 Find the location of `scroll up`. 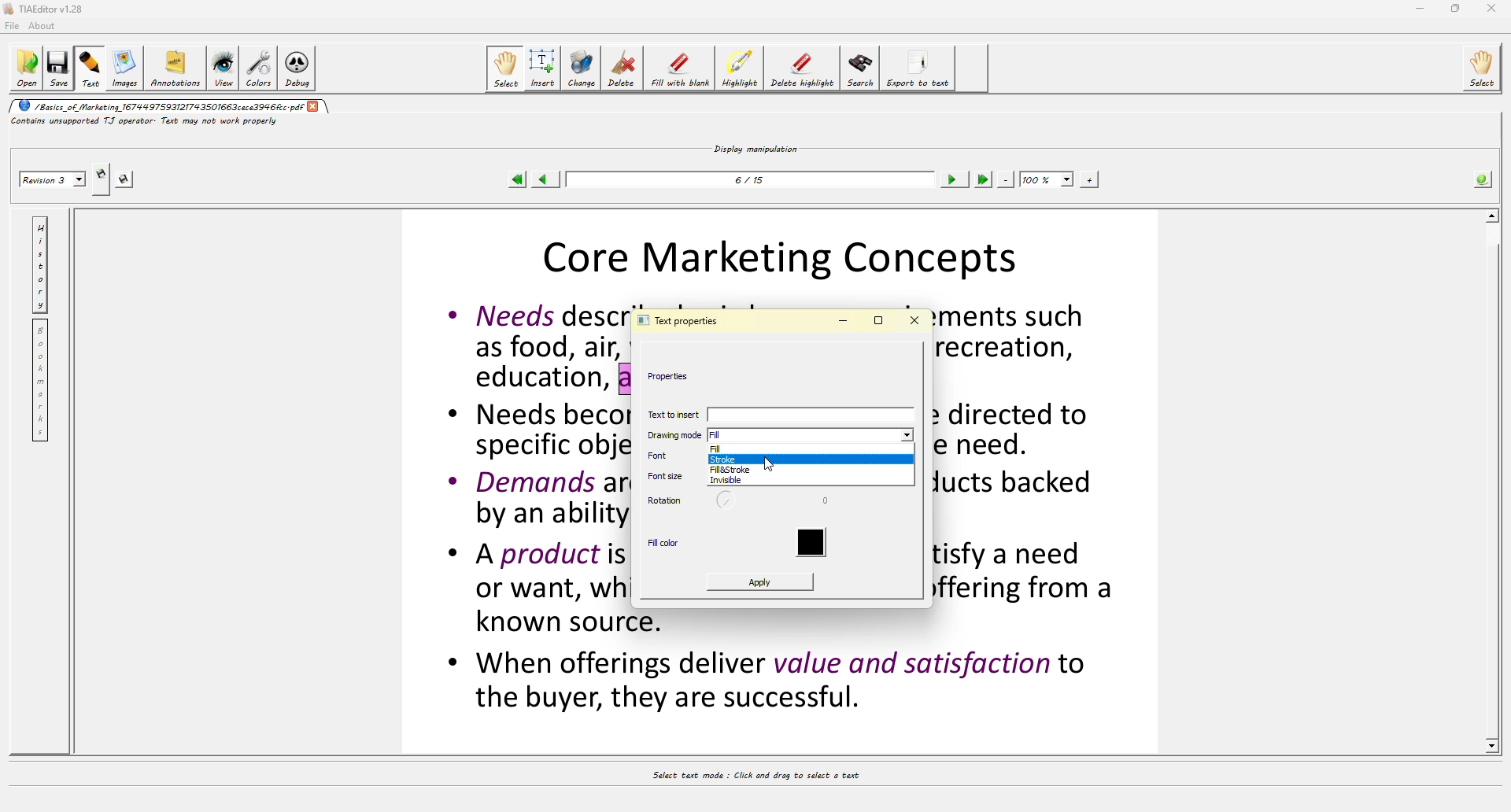

scroll up is located at coordinates (1489, 215).